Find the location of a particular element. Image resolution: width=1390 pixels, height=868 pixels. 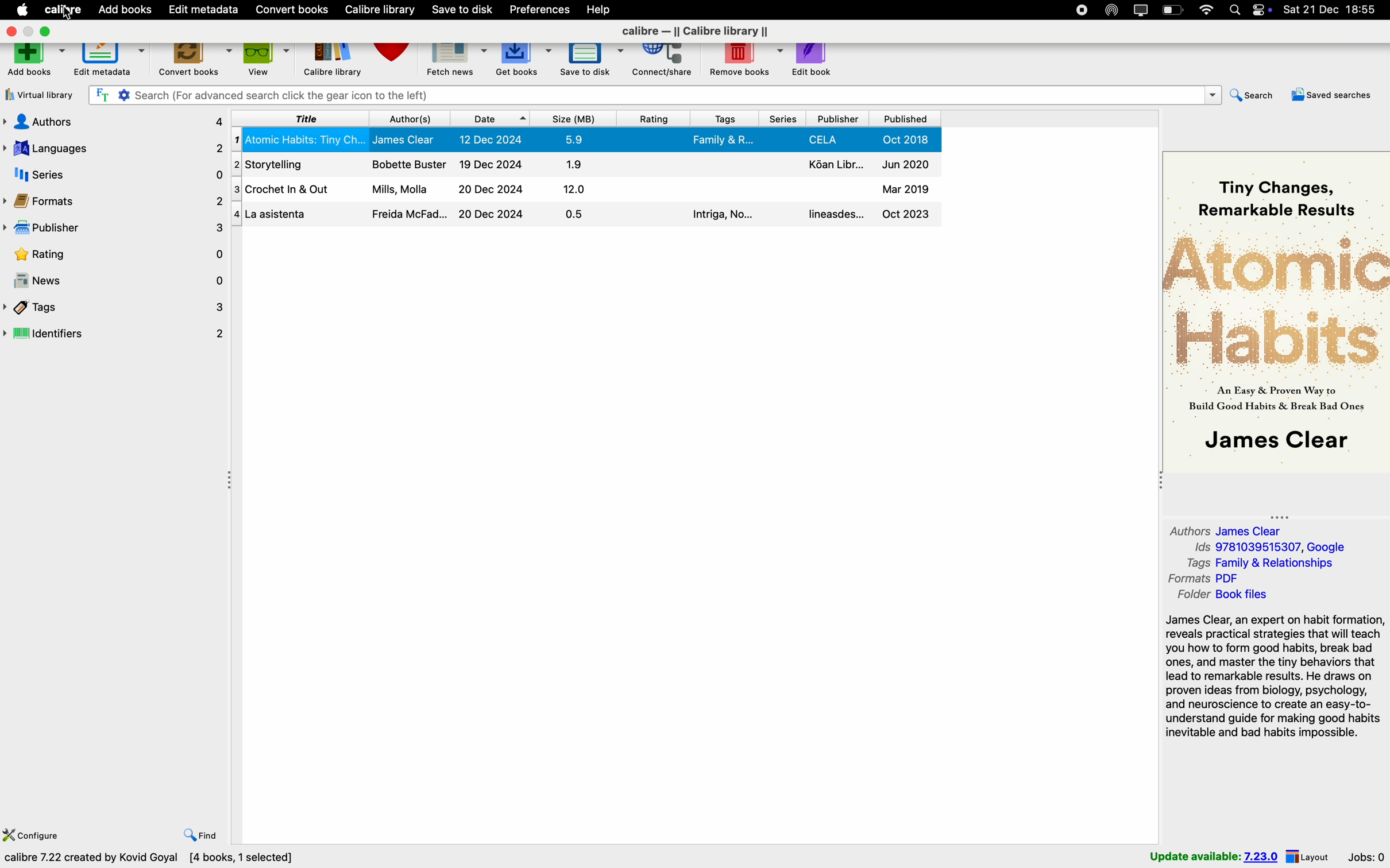

authors James Clear is located at coordinates (1224, 530).